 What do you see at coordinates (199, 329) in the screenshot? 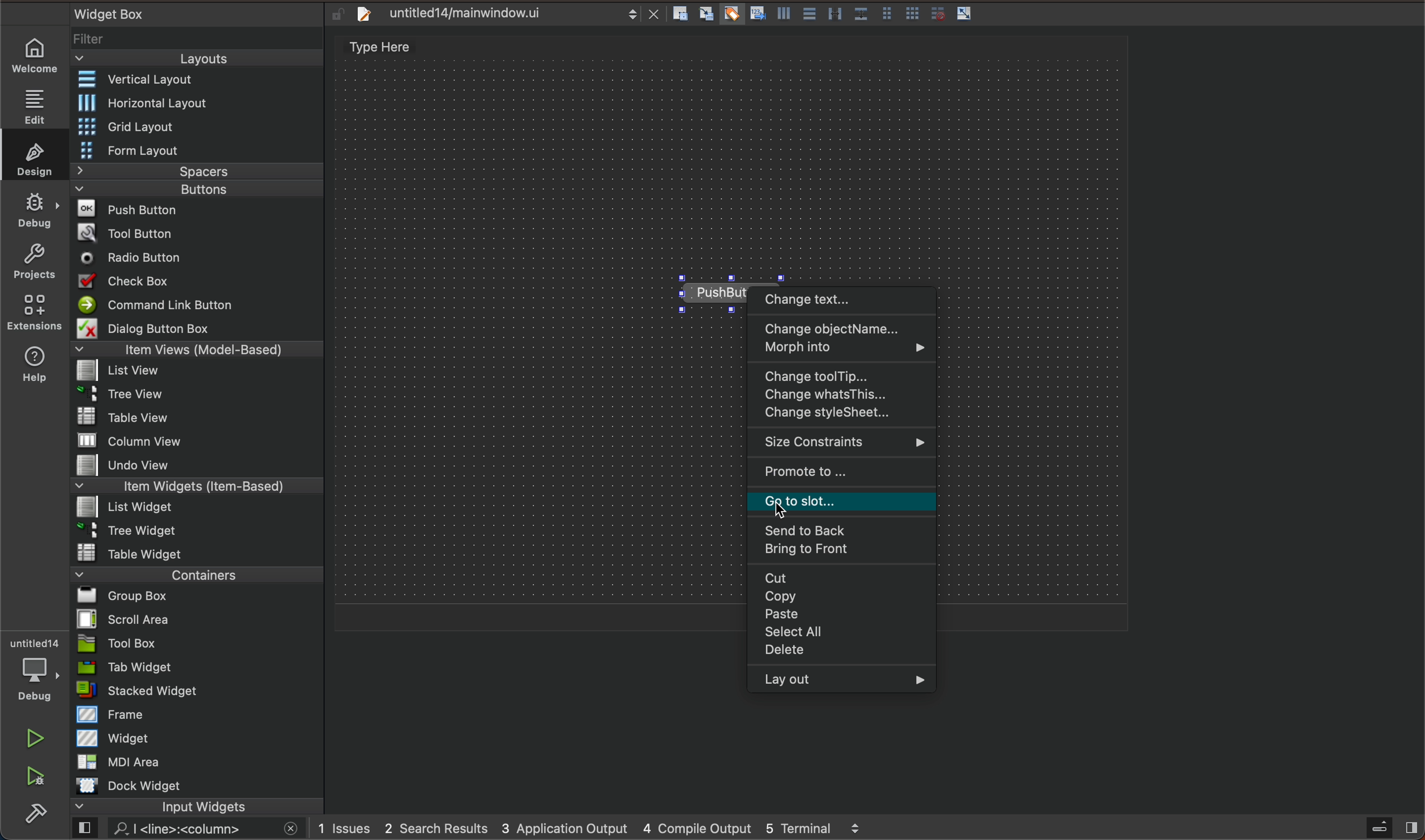
I see `` at bounding box center [199, 329].